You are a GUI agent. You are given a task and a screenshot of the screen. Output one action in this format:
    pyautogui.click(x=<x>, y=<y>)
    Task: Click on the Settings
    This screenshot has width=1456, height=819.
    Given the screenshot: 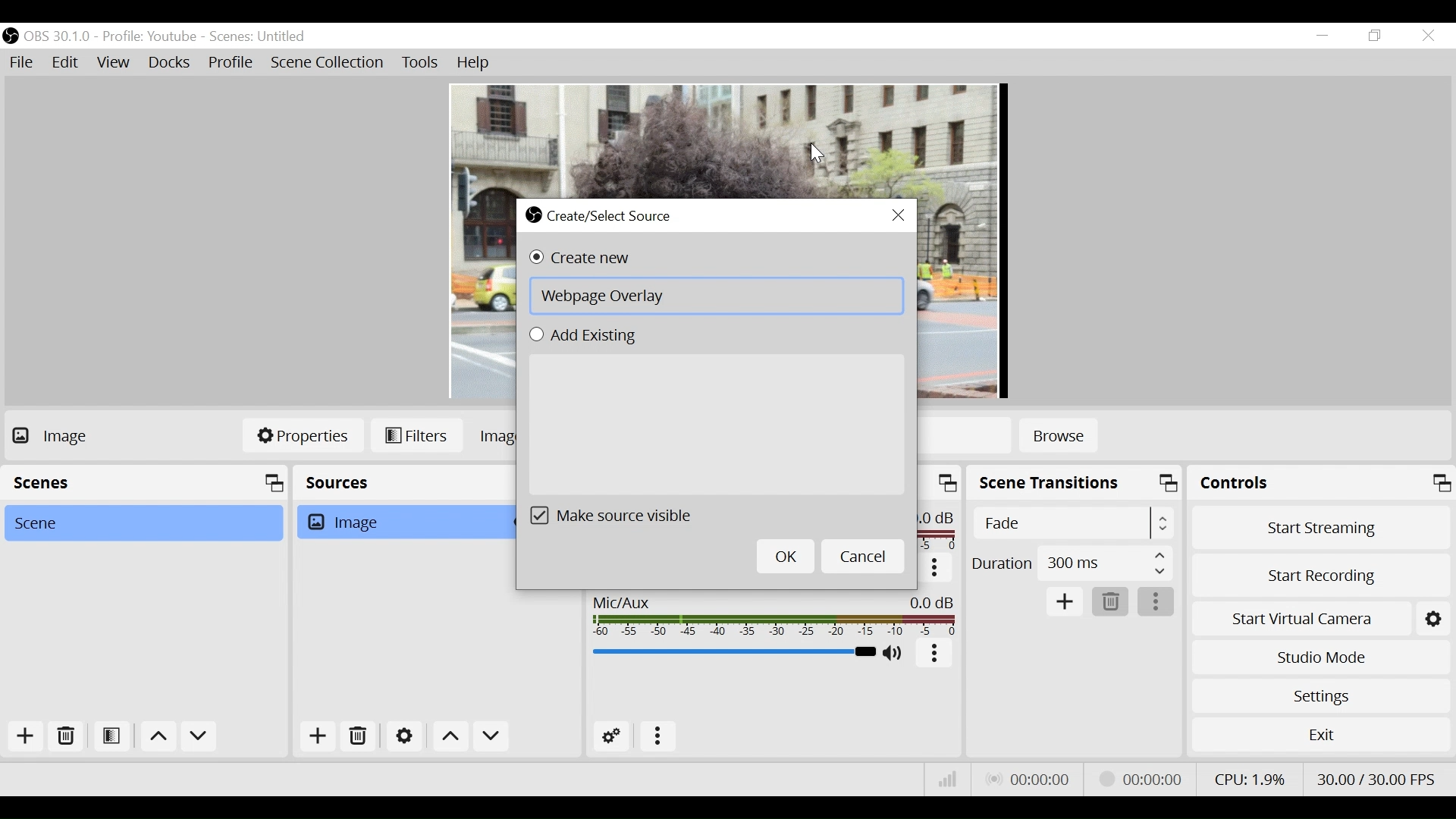 What is the action you would take?
    pyautogui.click(x=1321, y=694)
    